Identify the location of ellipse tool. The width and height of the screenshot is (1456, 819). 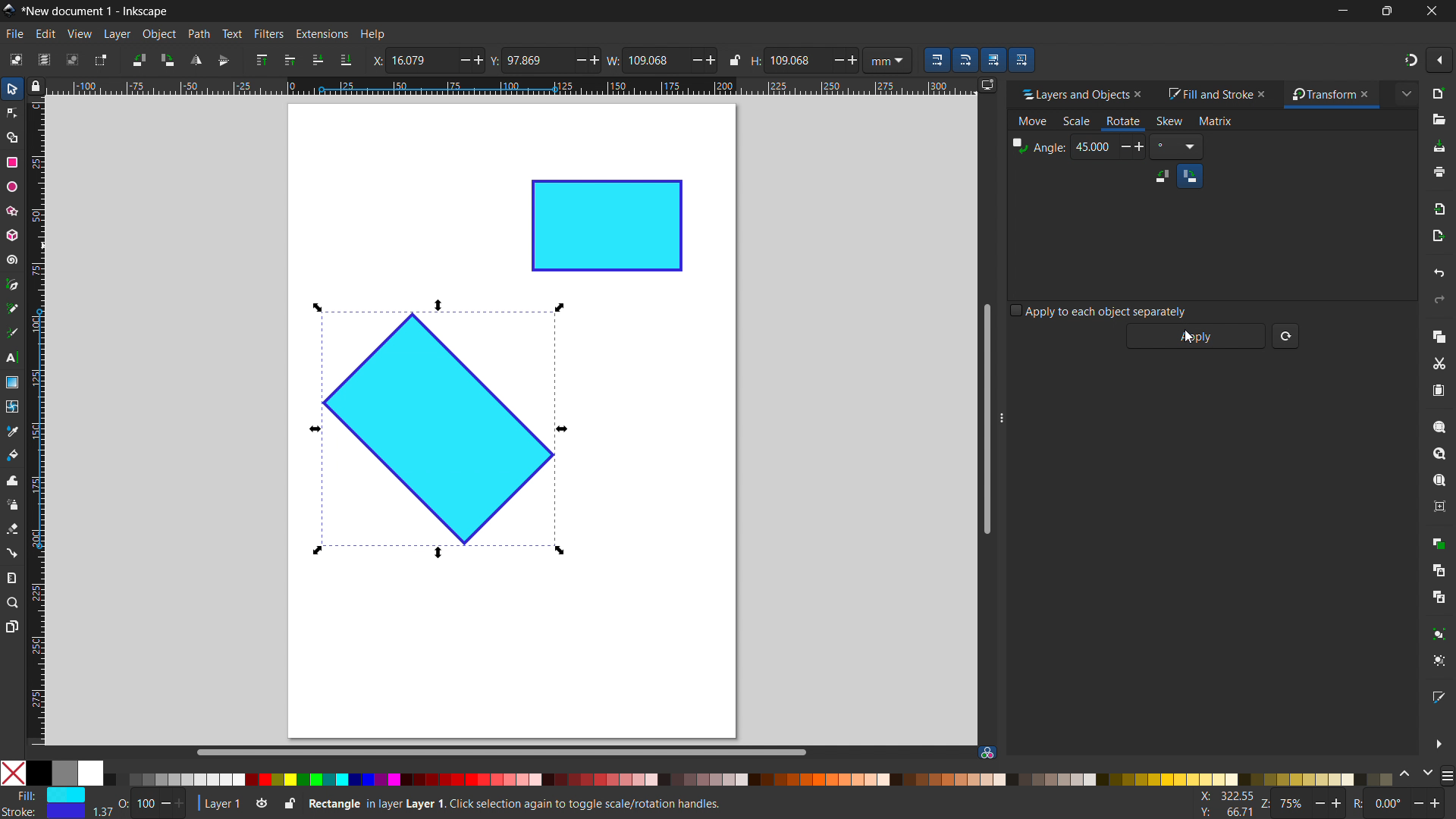
(11, 186).